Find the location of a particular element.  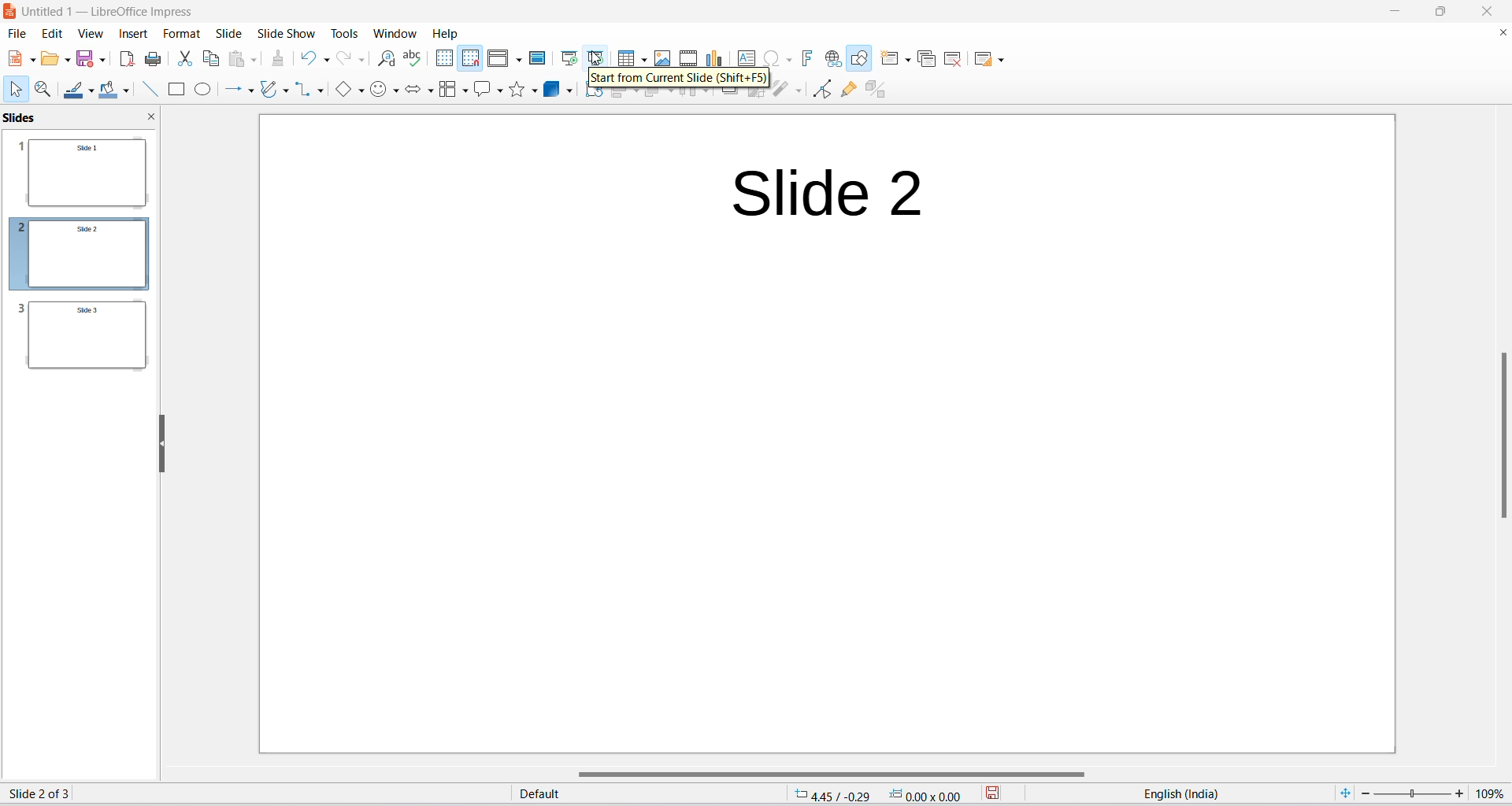

current slide is located at coordinates (41, 793).